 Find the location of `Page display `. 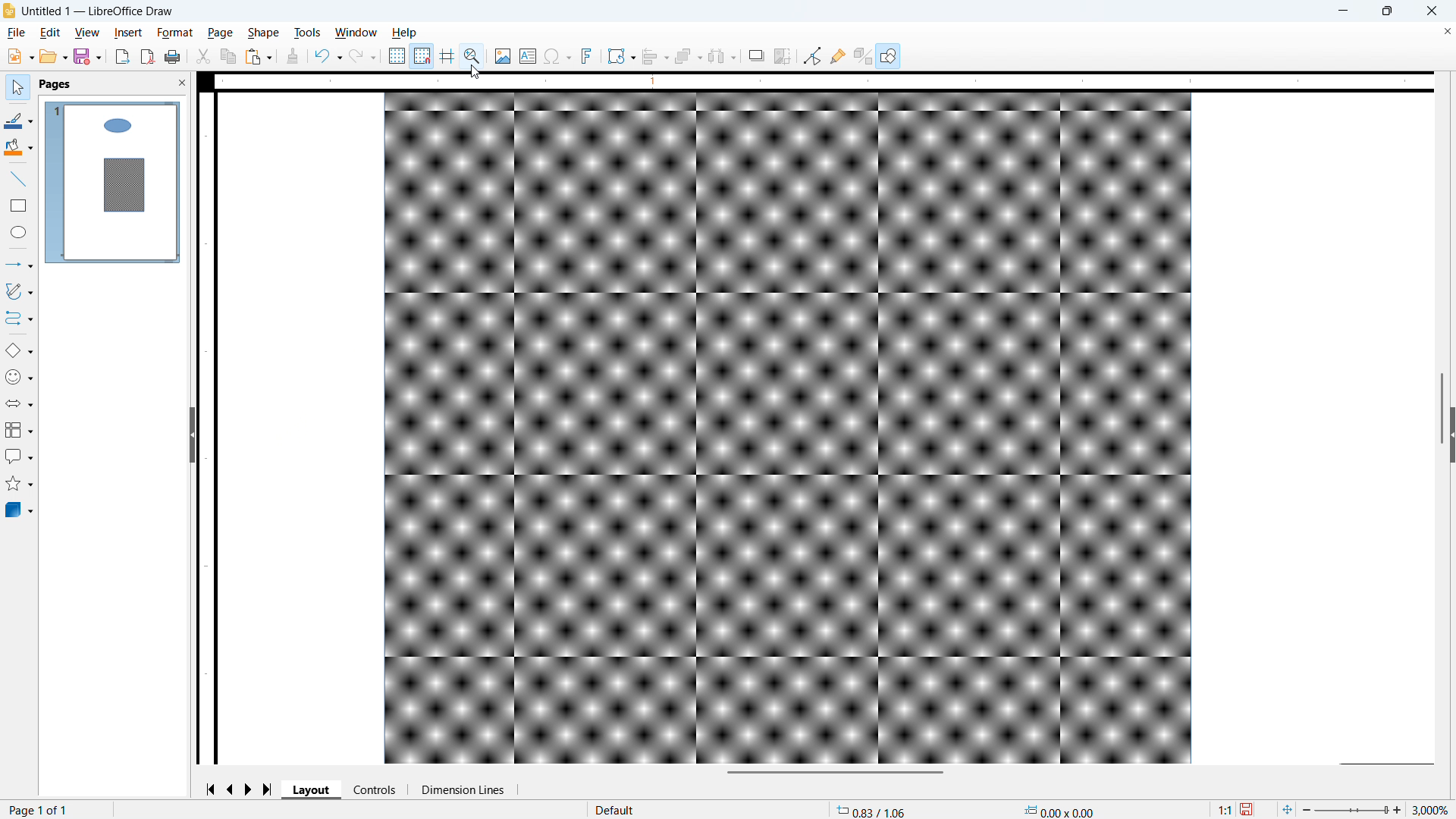

Page display  is located at coordinates (113, 182).